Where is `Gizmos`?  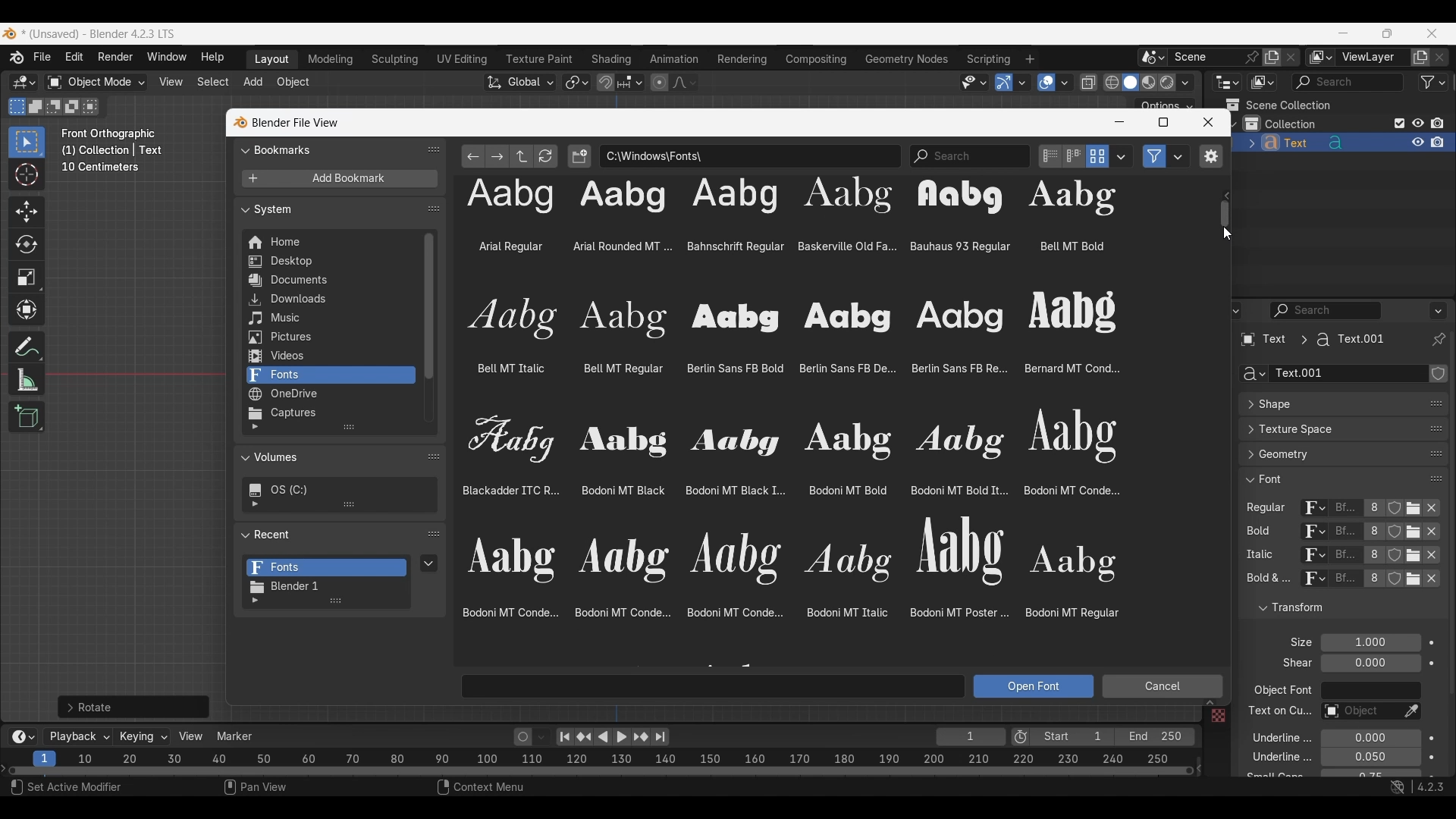
Gizmos is located at coordinates (1022, 82).